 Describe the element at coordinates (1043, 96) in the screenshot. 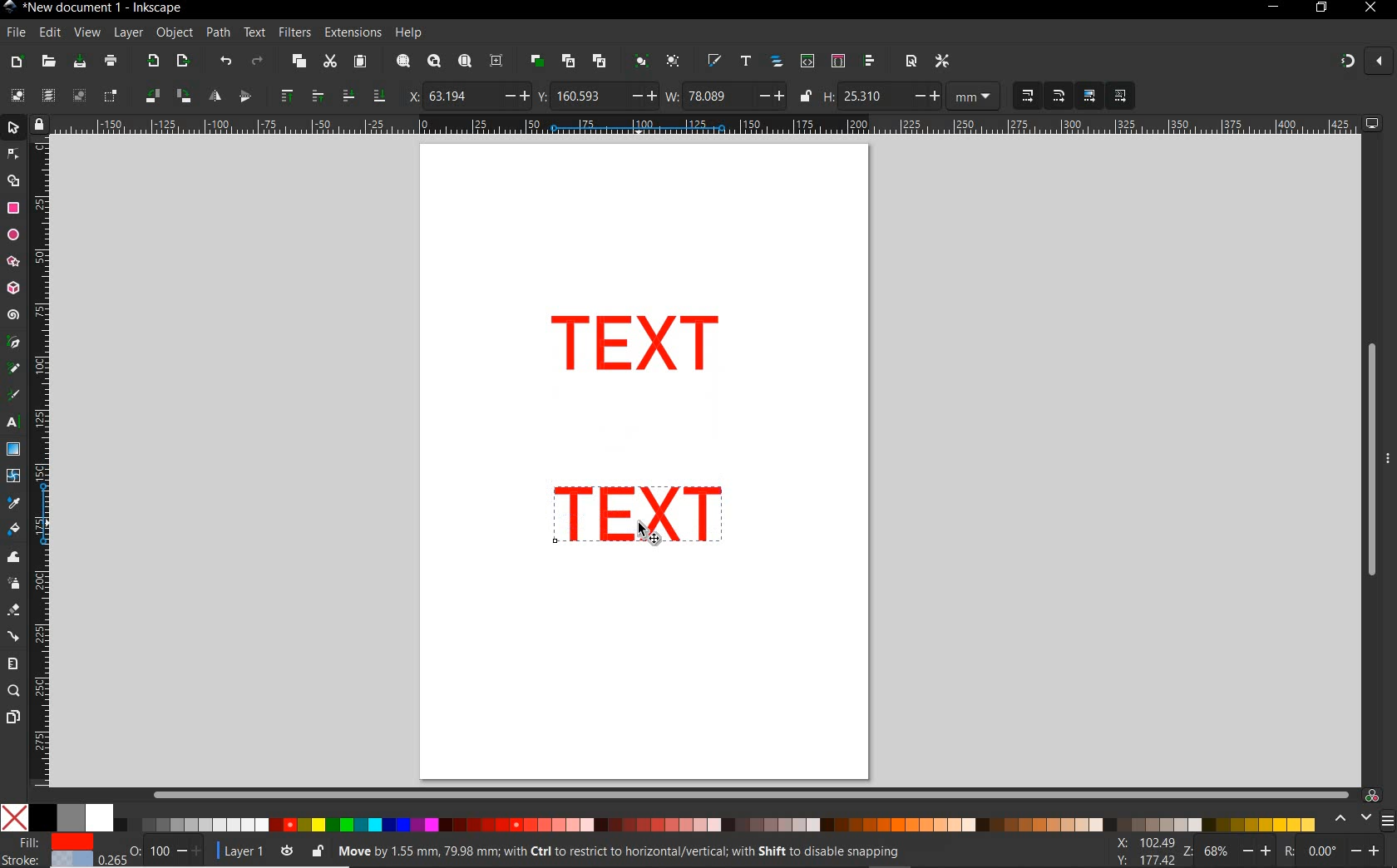

I see `SCALING` at that location.